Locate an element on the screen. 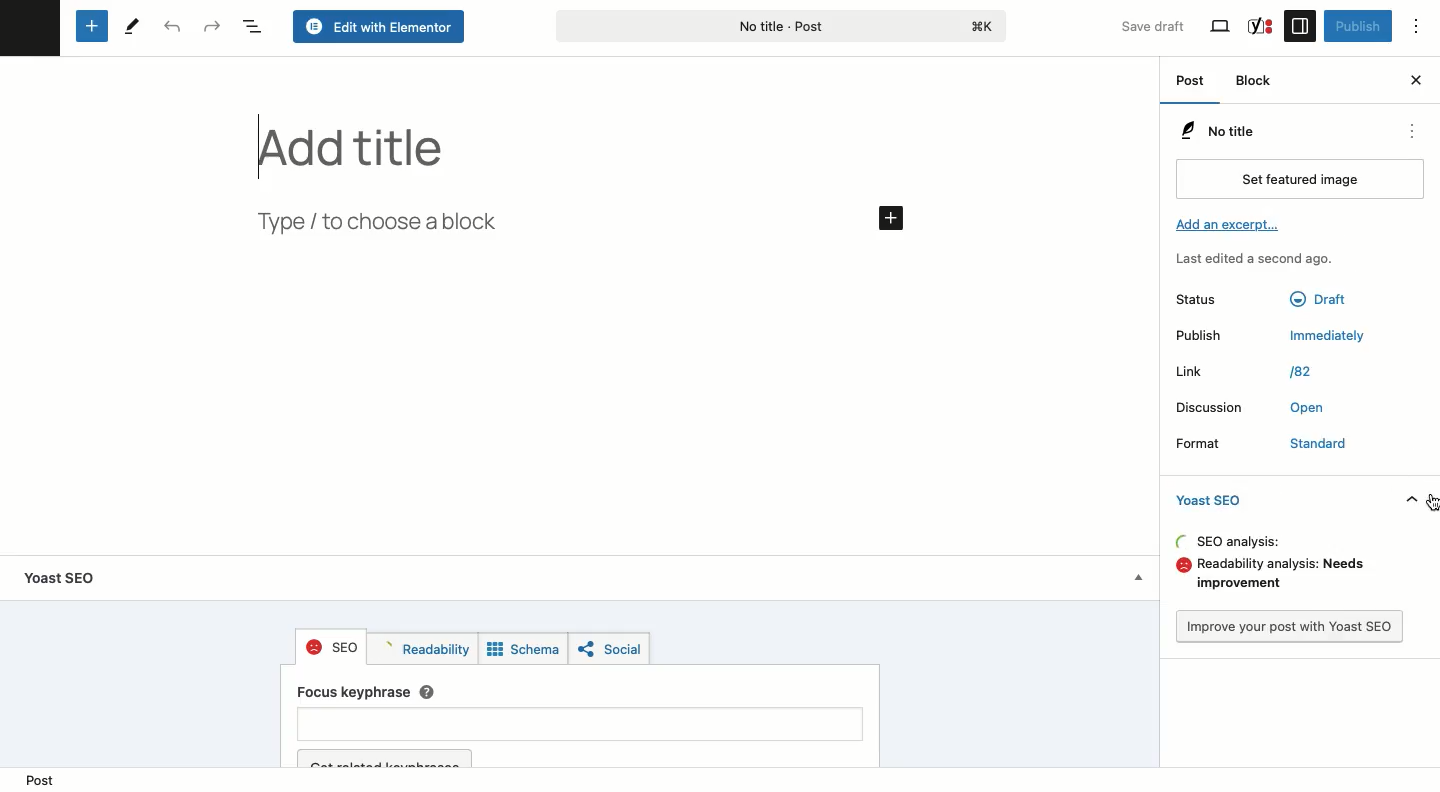  Save draft is located at coordinates (1142, 22).